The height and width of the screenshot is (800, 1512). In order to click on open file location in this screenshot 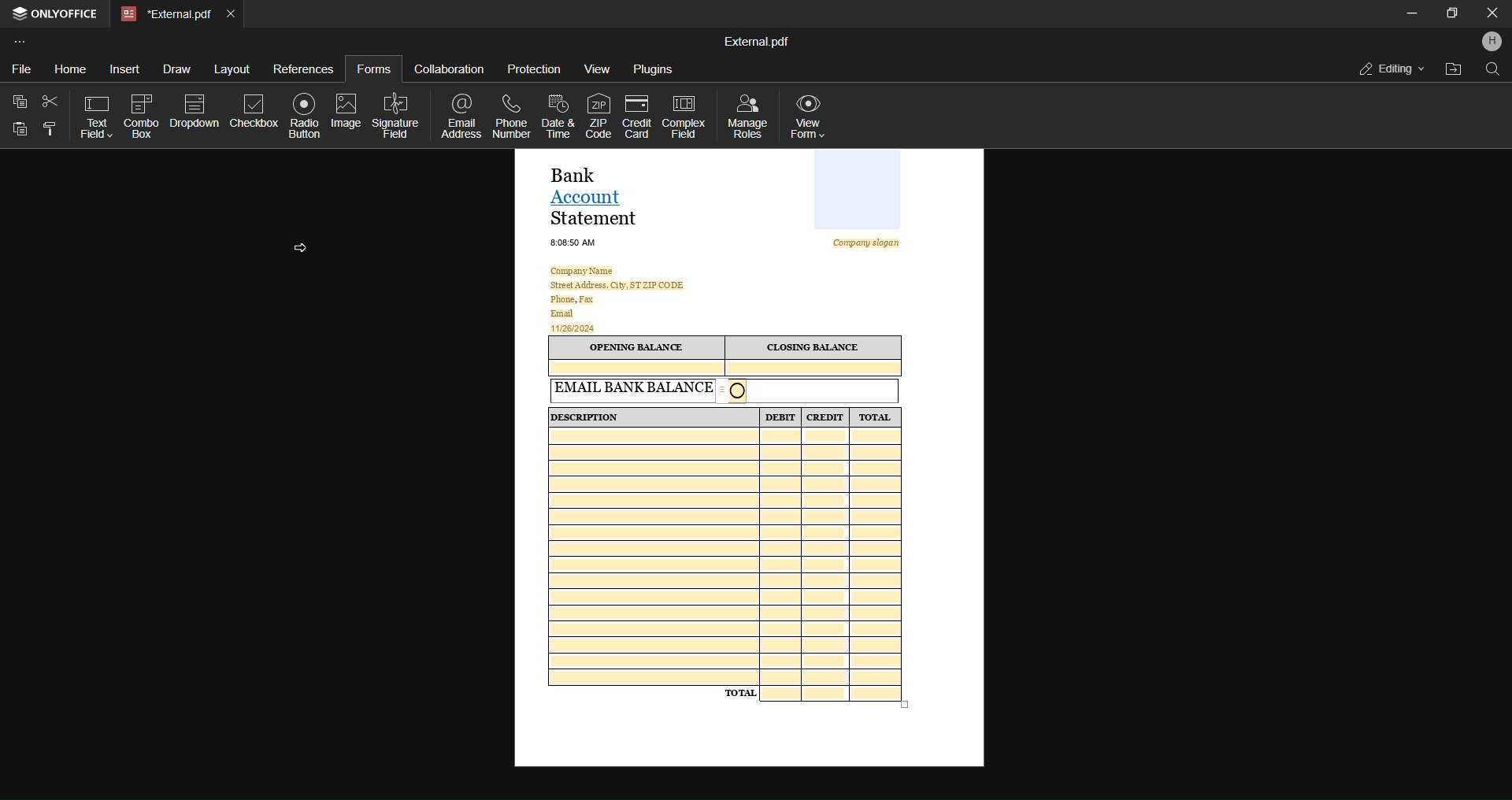, I will do `click(1450, 70)`.